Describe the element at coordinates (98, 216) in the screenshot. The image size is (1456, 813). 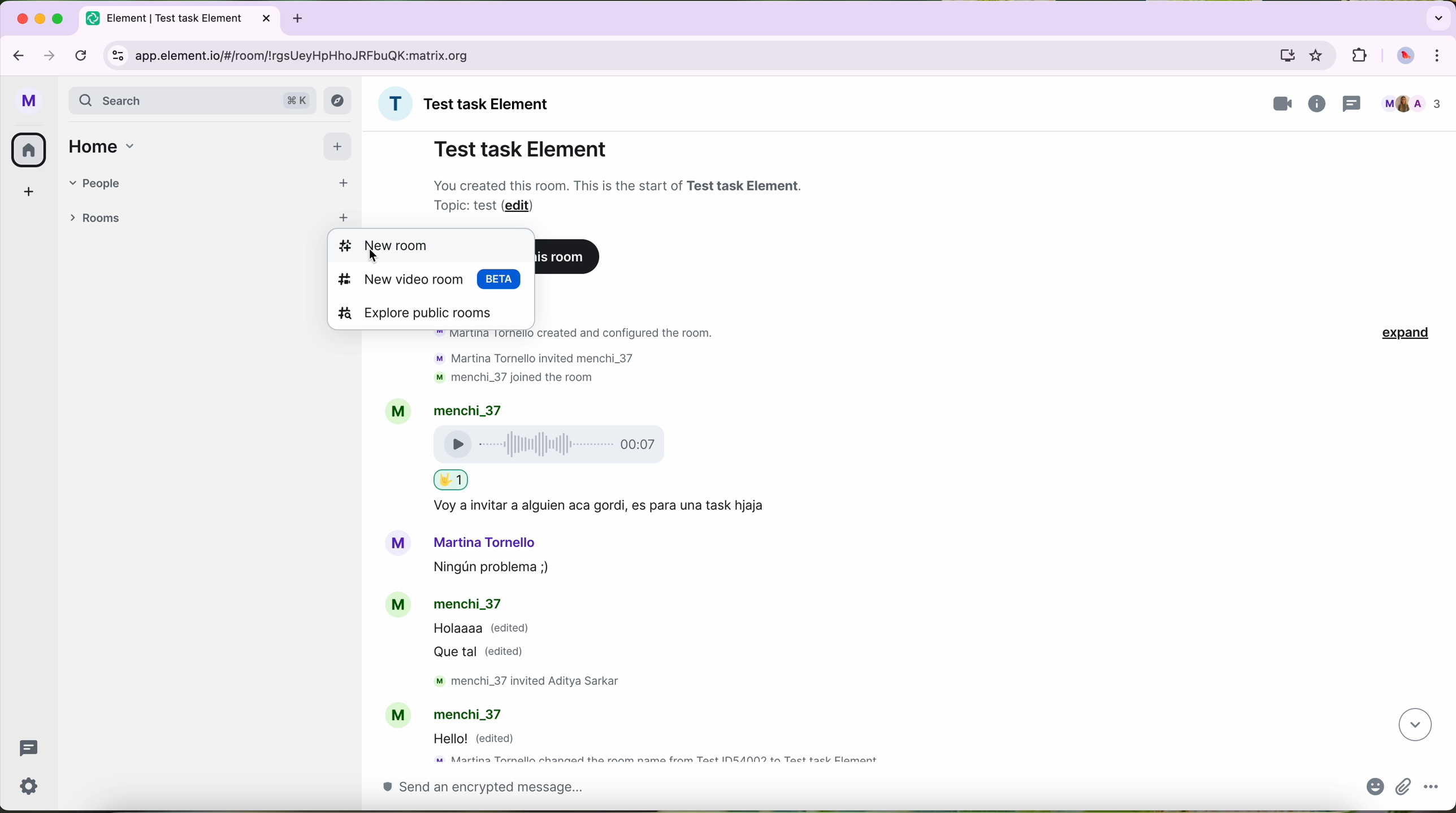
I see `rooms tab` at that location.